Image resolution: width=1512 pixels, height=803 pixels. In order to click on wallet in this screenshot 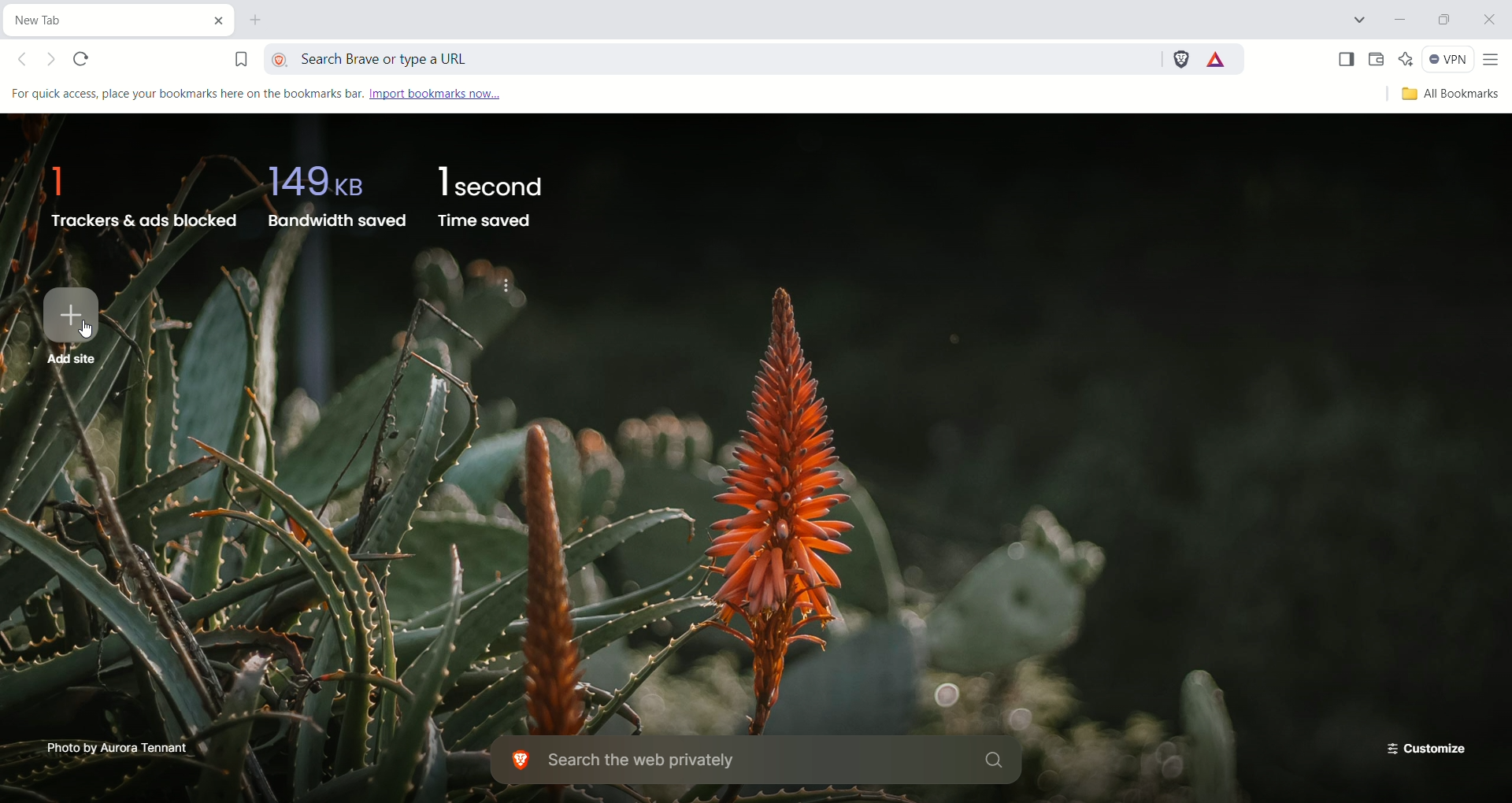, I will do `click(1377, 60)`.